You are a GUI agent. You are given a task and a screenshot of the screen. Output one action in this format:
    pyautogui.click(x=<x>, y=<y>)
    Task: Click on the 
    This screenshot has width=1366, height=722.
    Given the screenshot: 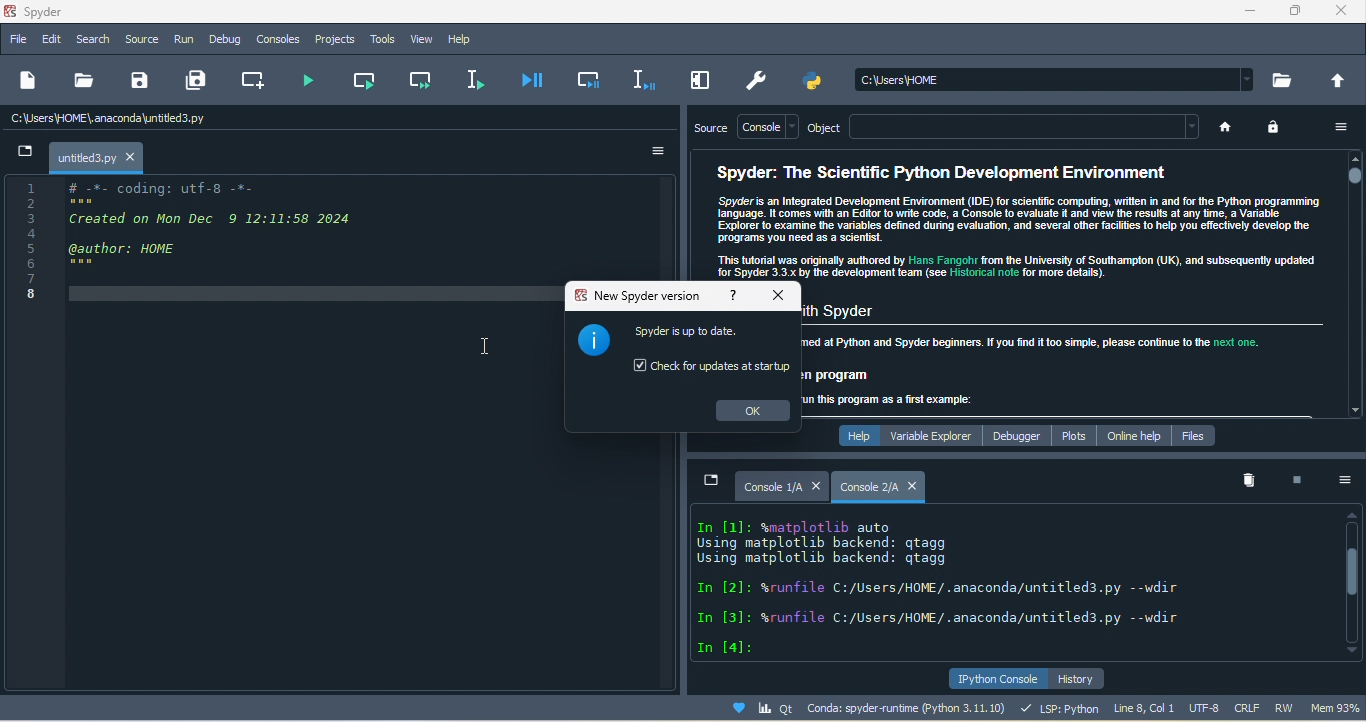 What is the action you would take?
    pyautogui.click(x=34, y=246)
    